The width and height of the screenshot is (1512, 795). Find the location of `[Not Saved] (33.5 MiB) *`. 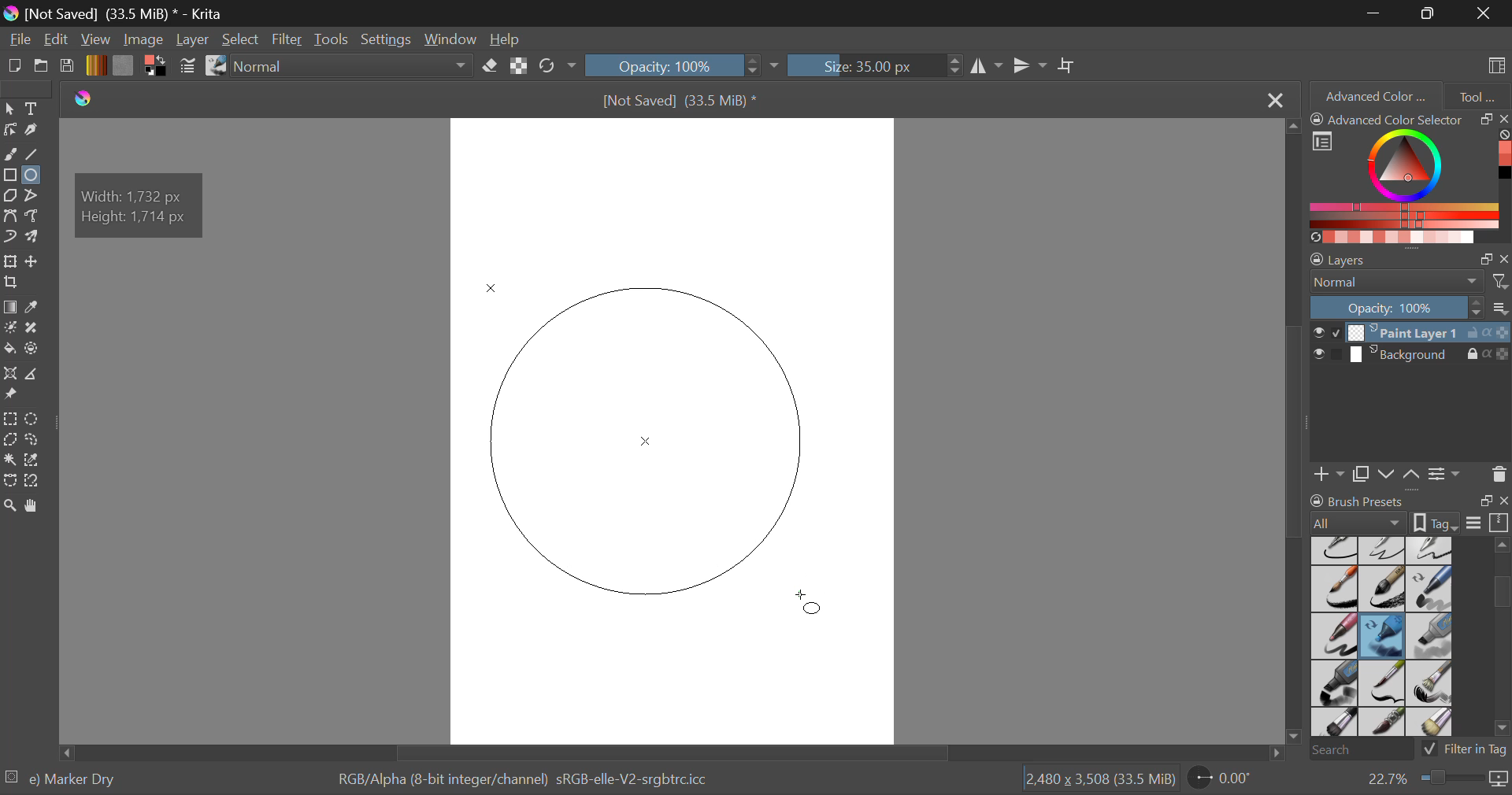

[Not Saved] (33.5 MiB) * is located at coordinates (679, 101).